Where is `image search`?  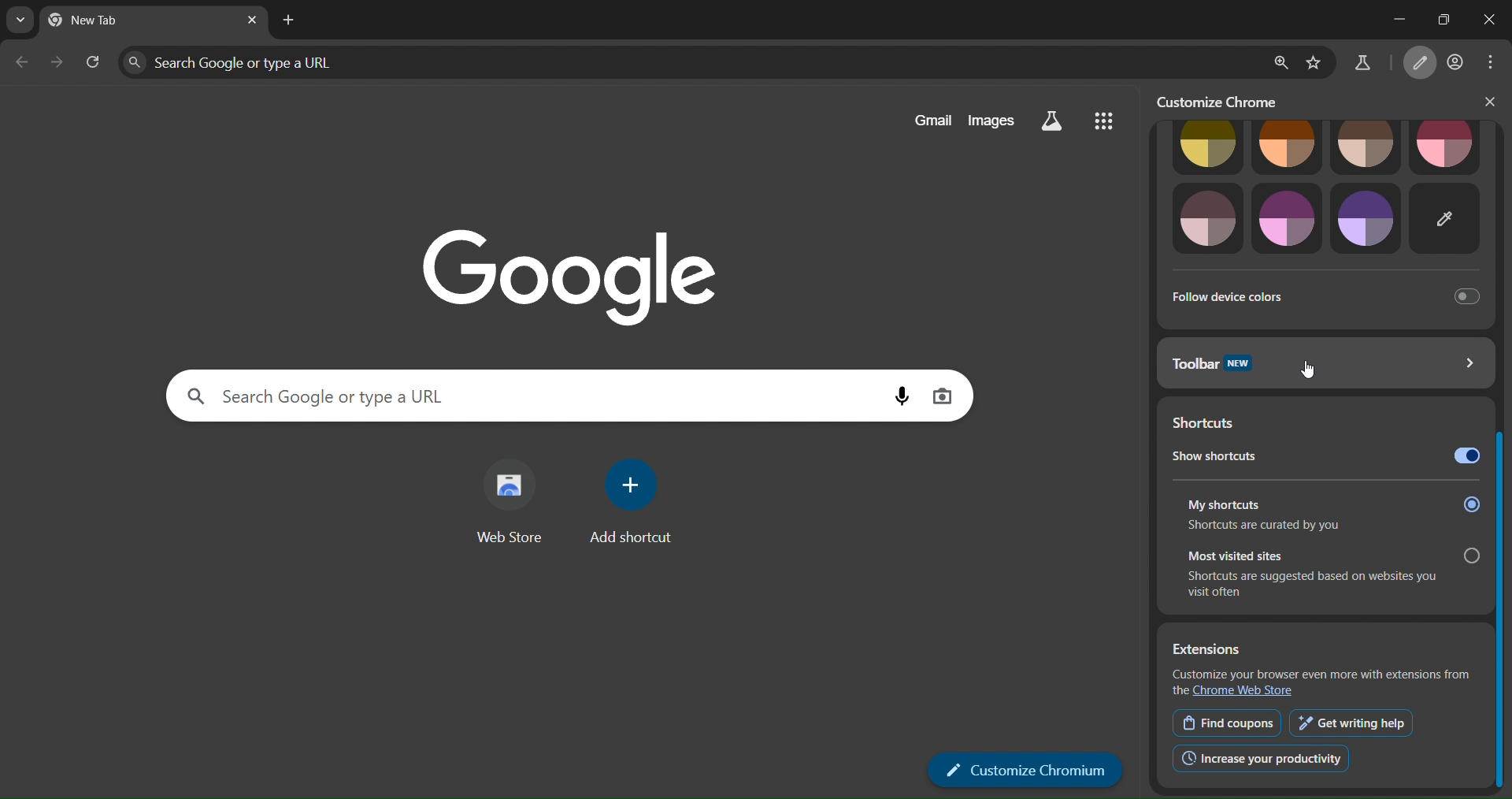 image search is located at coordinates (943, 396).